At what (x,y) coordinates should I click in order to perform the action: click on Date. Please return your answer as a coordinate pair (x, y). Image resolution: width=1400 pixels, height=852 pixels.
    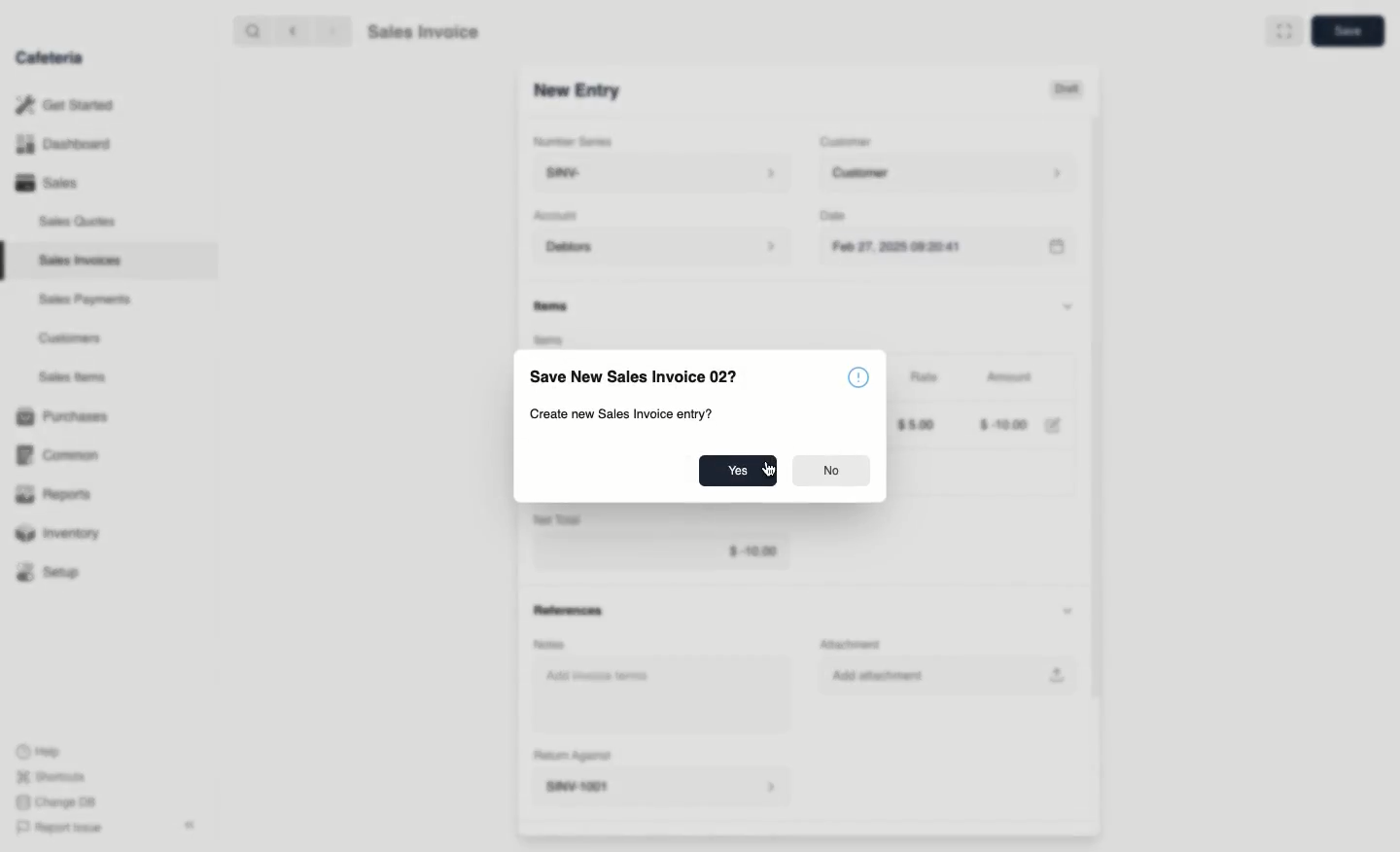
    Looking at the image, I should click on (839, 216).